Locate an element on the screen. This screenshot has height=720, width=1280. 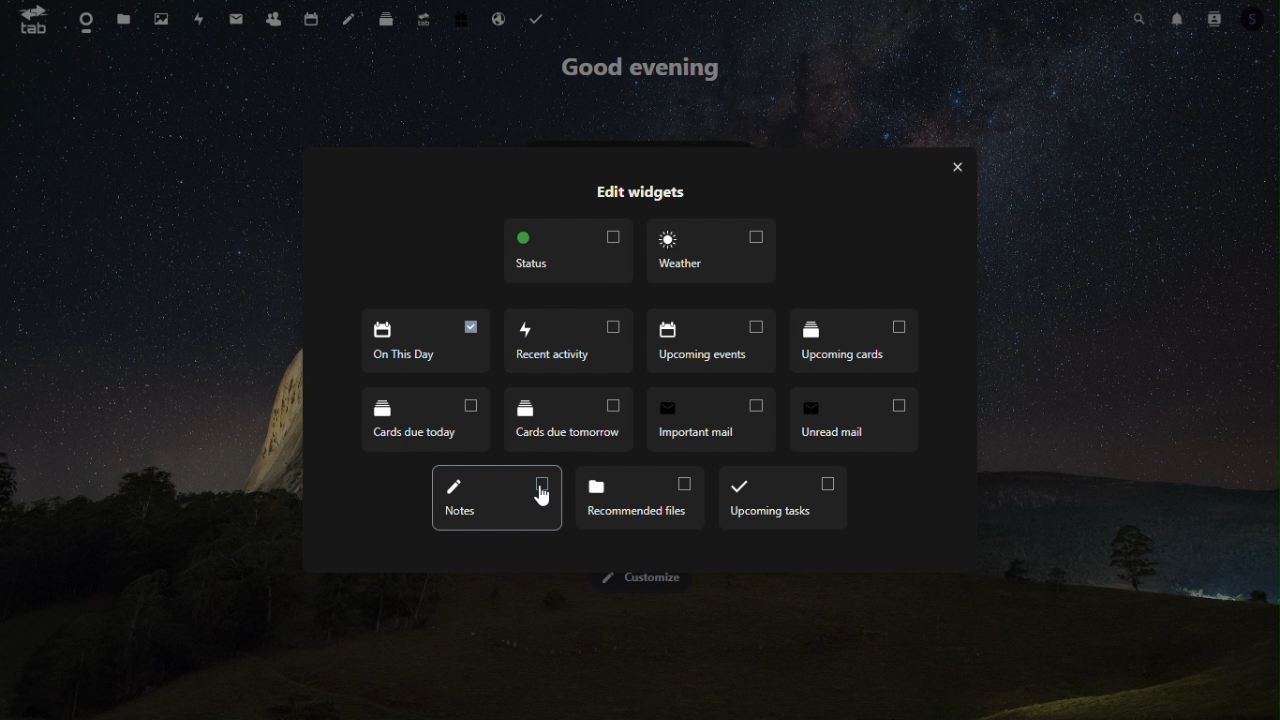
mail is located at coordinates (237, 17).